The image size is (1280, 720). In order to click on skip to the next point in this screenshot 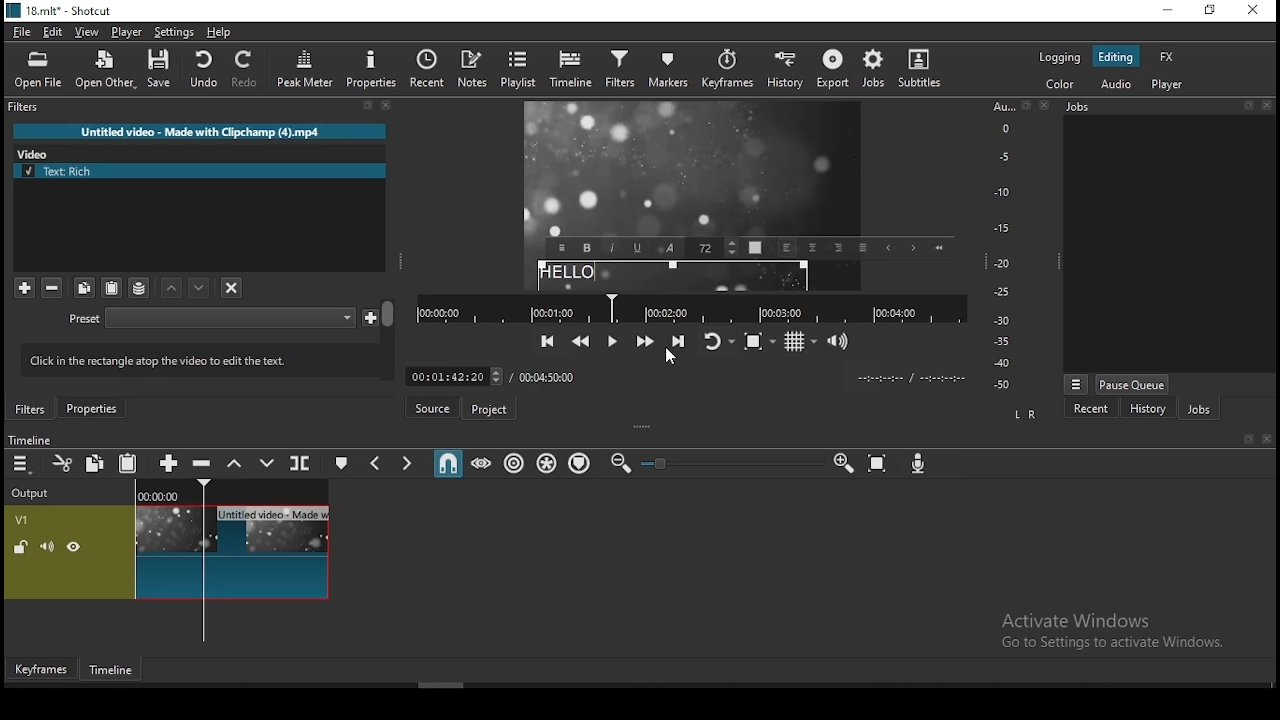, I will do `click(679, 340)`.